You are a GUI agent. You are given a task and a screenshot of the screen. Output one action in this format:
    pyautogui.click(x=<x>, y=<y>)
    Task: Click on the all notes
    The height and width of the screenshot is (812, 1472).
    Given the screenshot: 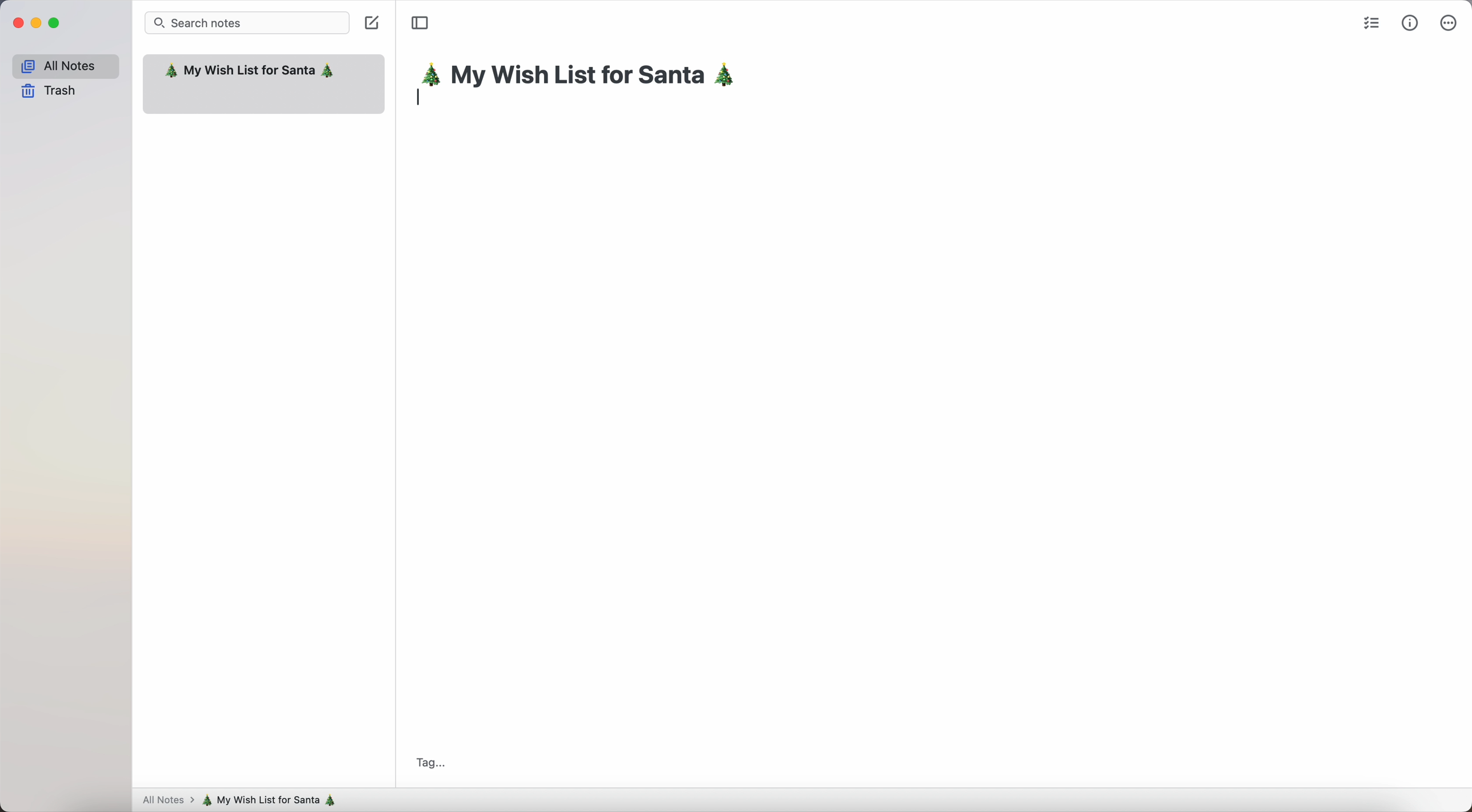 What is the action you would take?
    pyautogui.click(x=65, y=64)
    